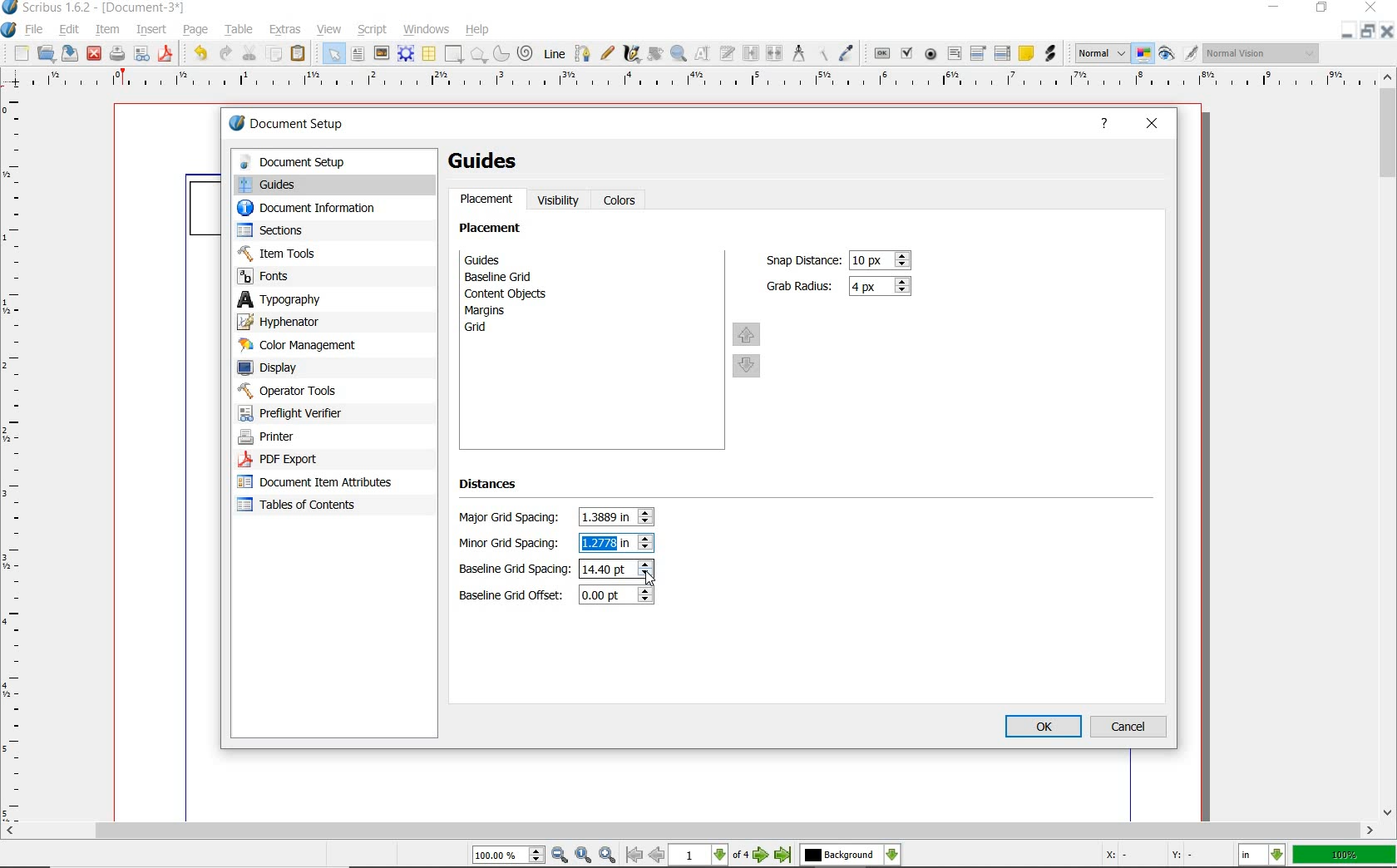 The height and width of the screenshot is (868, 1397). Describe the element at coordinates (151, 28) in the screenshot. I see `insert` at that location.